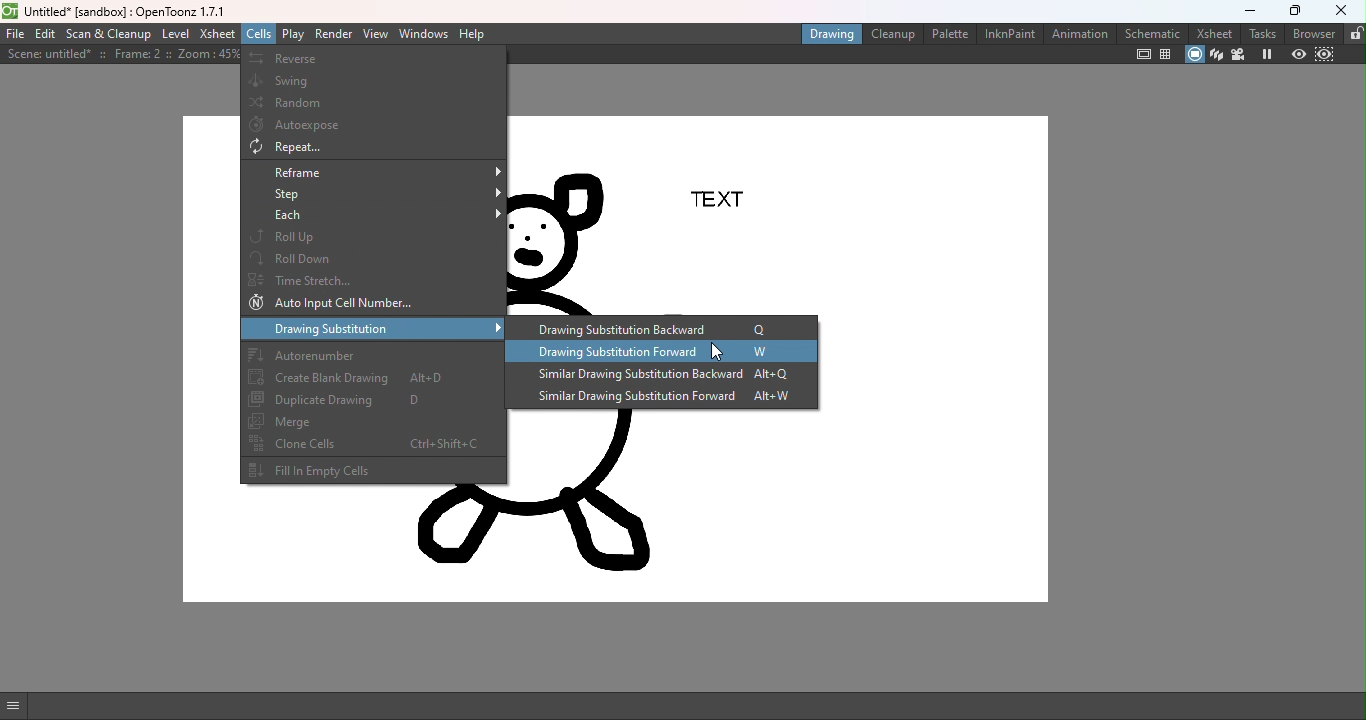 The image size is (1366, 720). Describe the element at coordinates (1290, 11) in the screenshot. I see `maximize` at that location.